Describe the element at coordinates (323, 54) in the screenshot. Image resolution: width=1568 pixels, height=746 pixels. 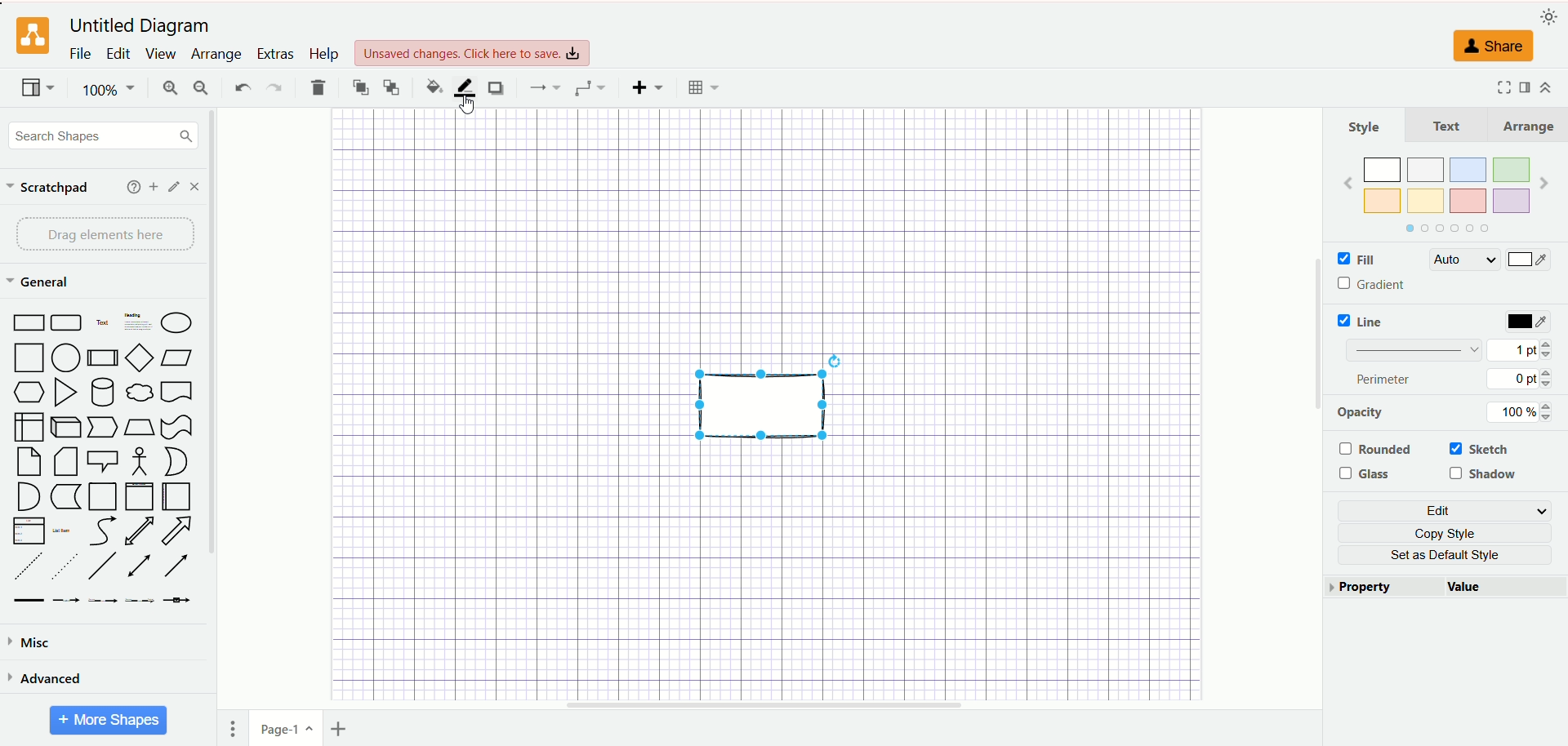
I see `help` at that location.